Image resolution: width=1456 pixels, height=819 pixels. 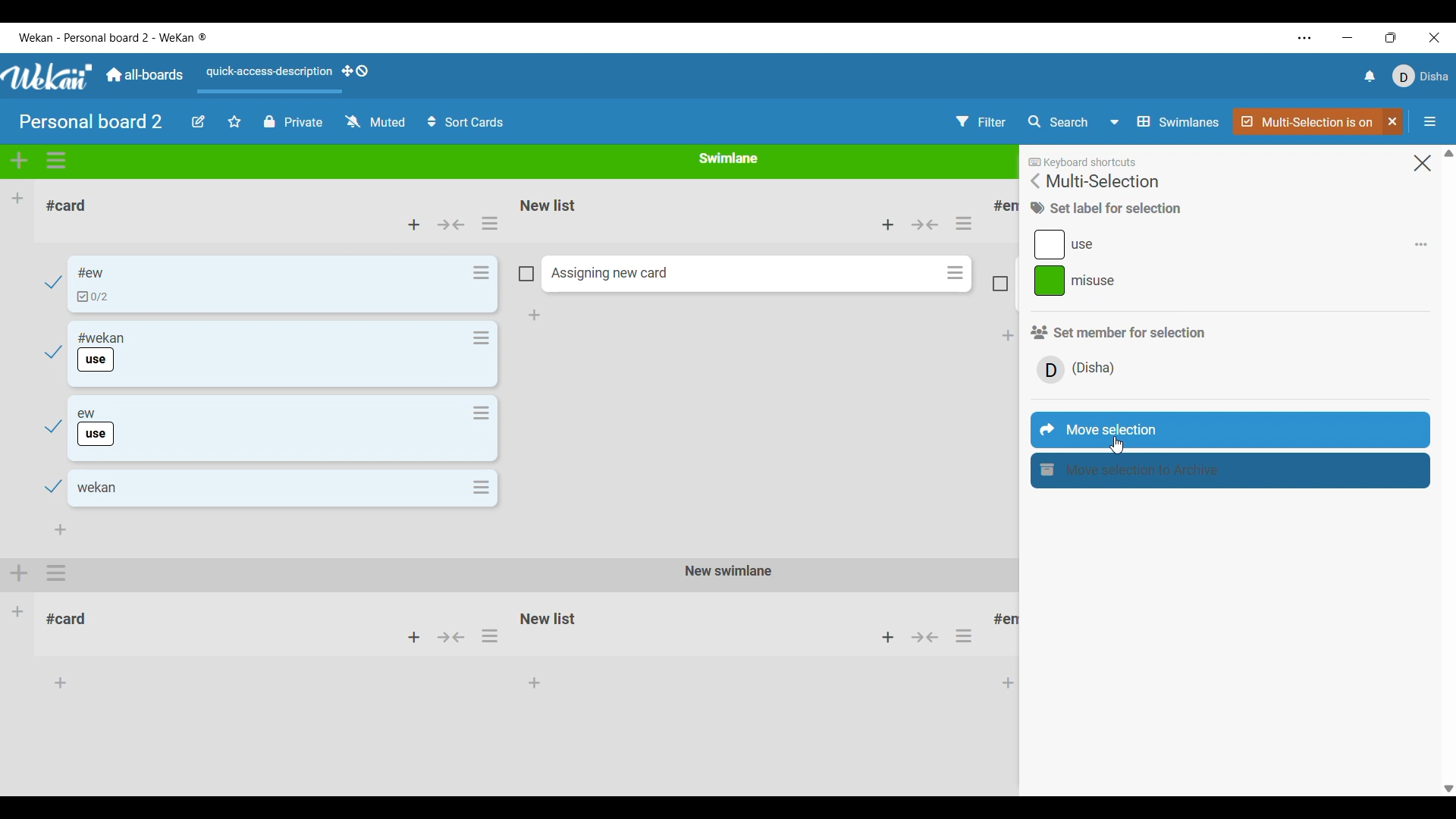 What do you see at coordinates (1448, 789) in the screenshot?
I see `Quick slide to bottom` at bounding box center [1448, 789].